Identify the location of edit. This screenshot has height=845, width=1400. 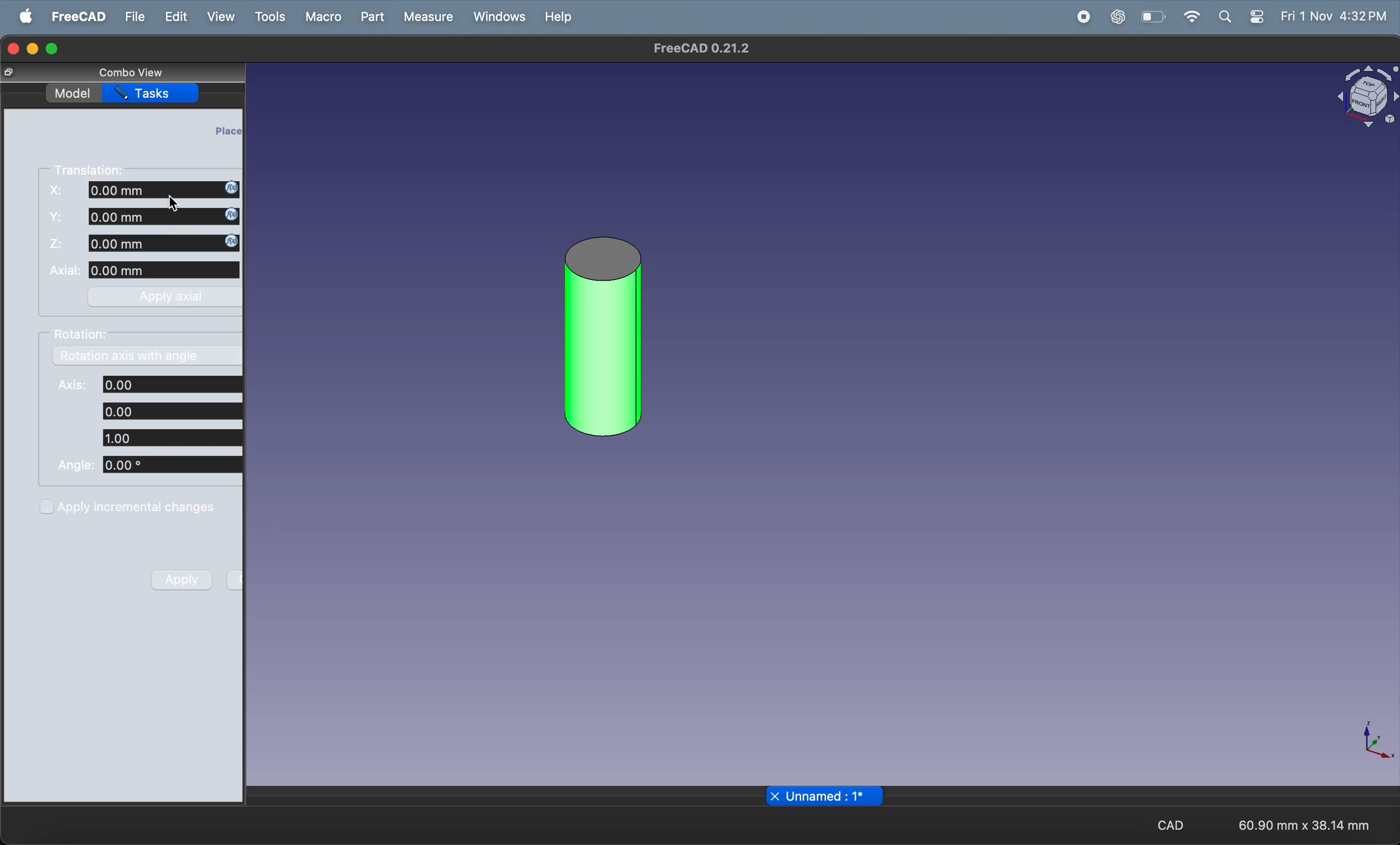
(176, 16).